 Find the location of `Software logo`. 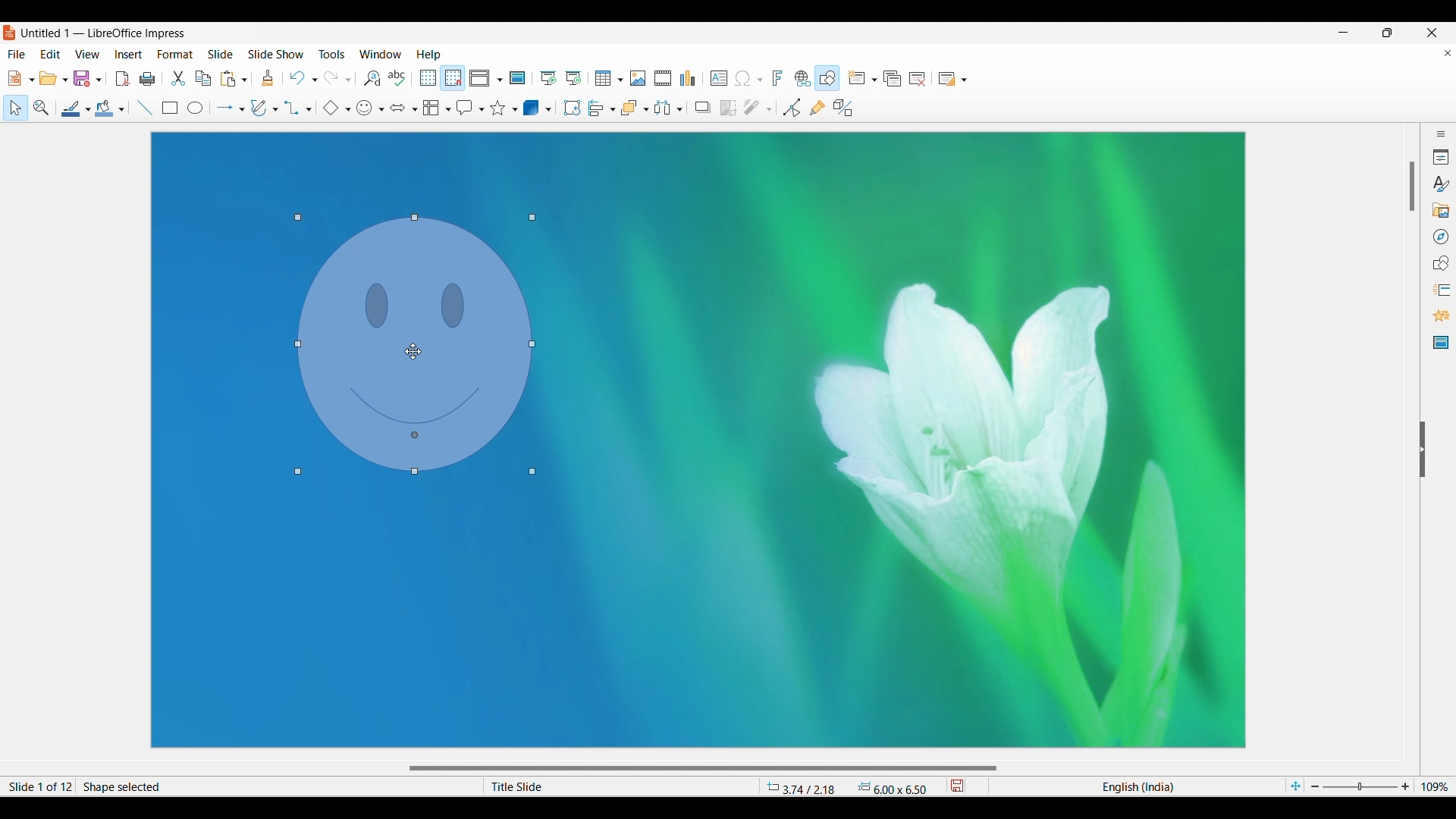

Software logo is located at coordinates (10, 33).